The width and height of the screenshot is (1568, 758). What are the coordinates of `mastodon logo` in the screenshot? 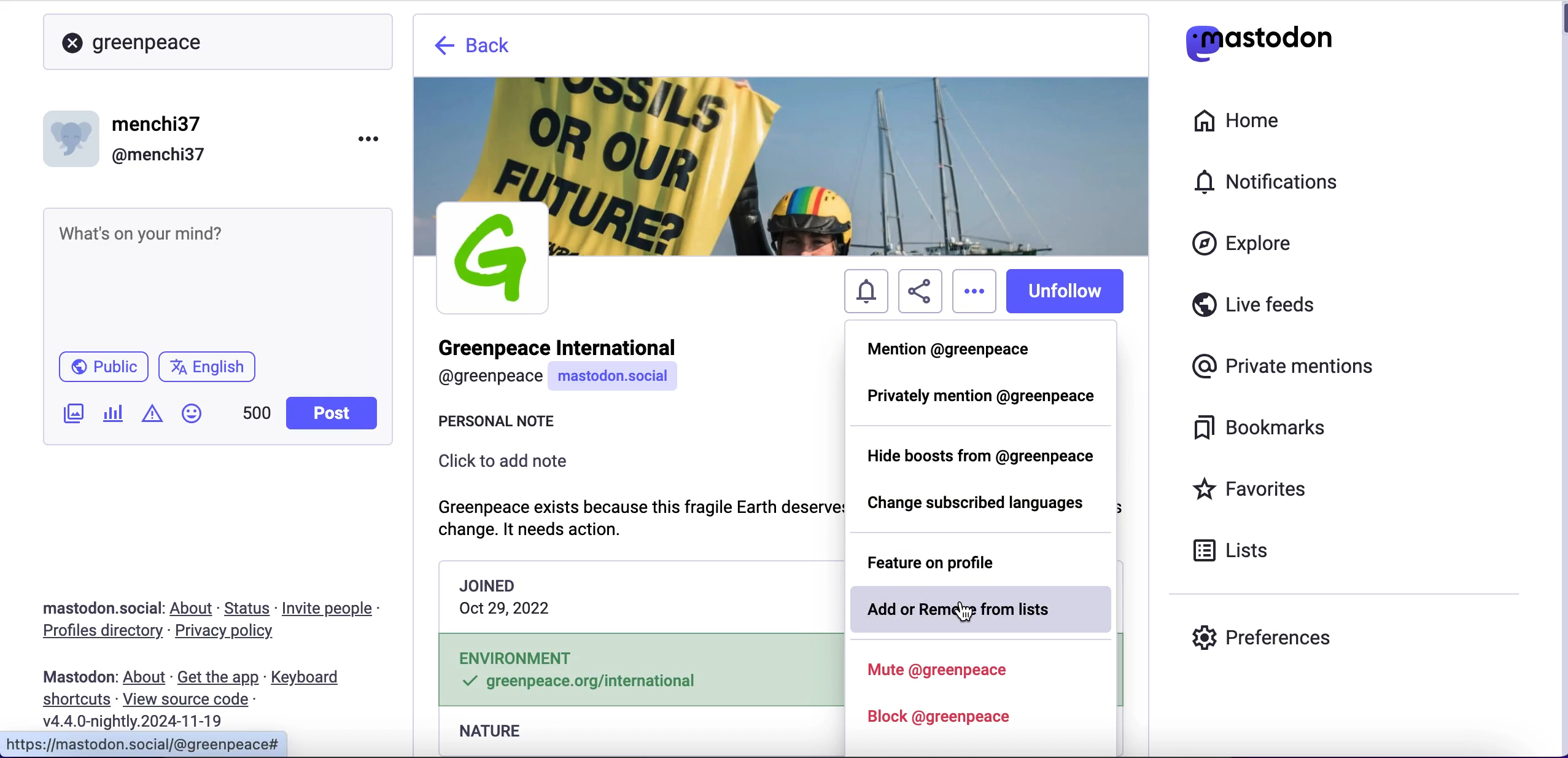 It's located at (1259, 40).